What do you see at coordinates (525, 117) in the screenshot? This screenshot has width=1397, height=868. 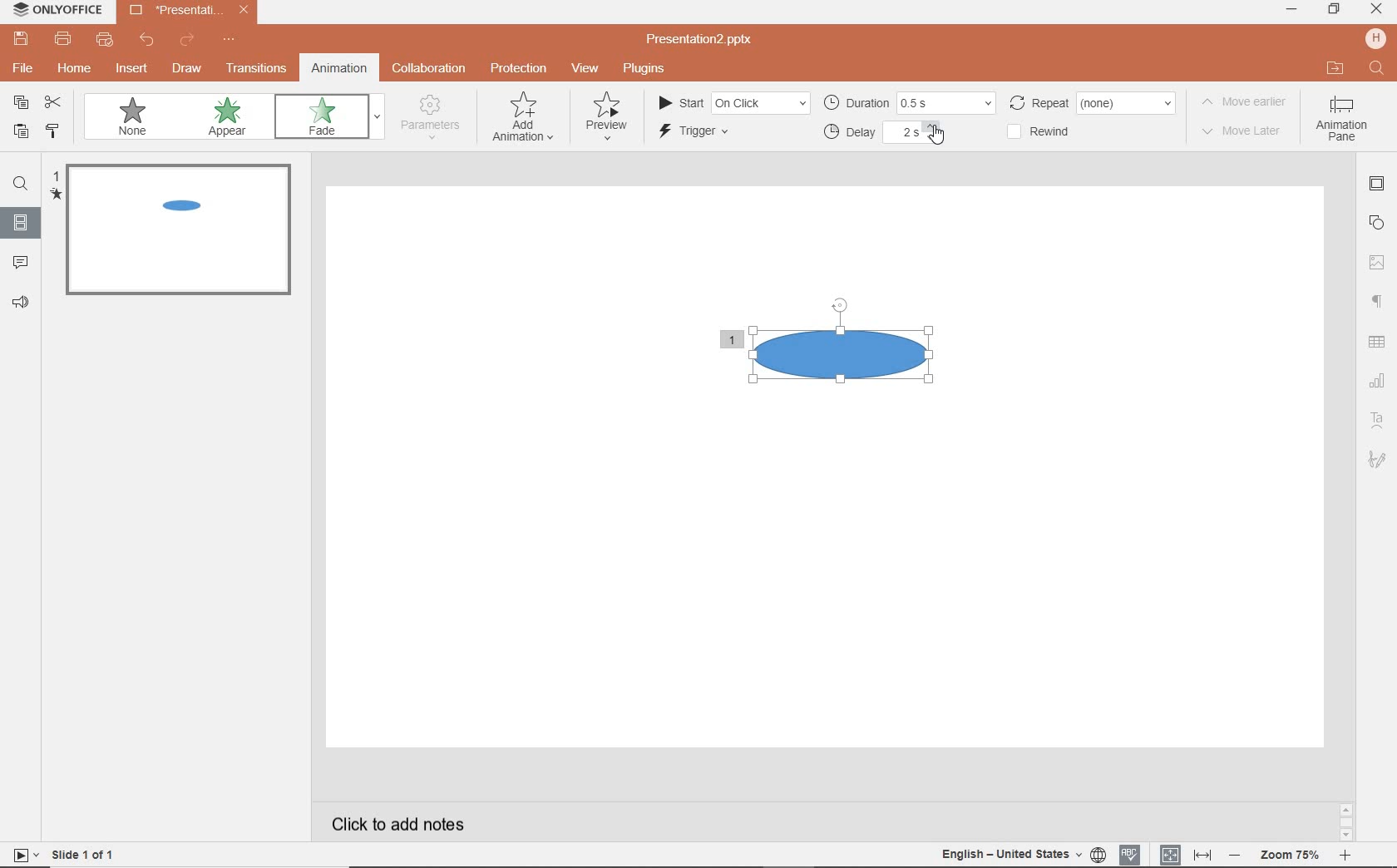 I see `add navigation` at bounding box center [525, 117].